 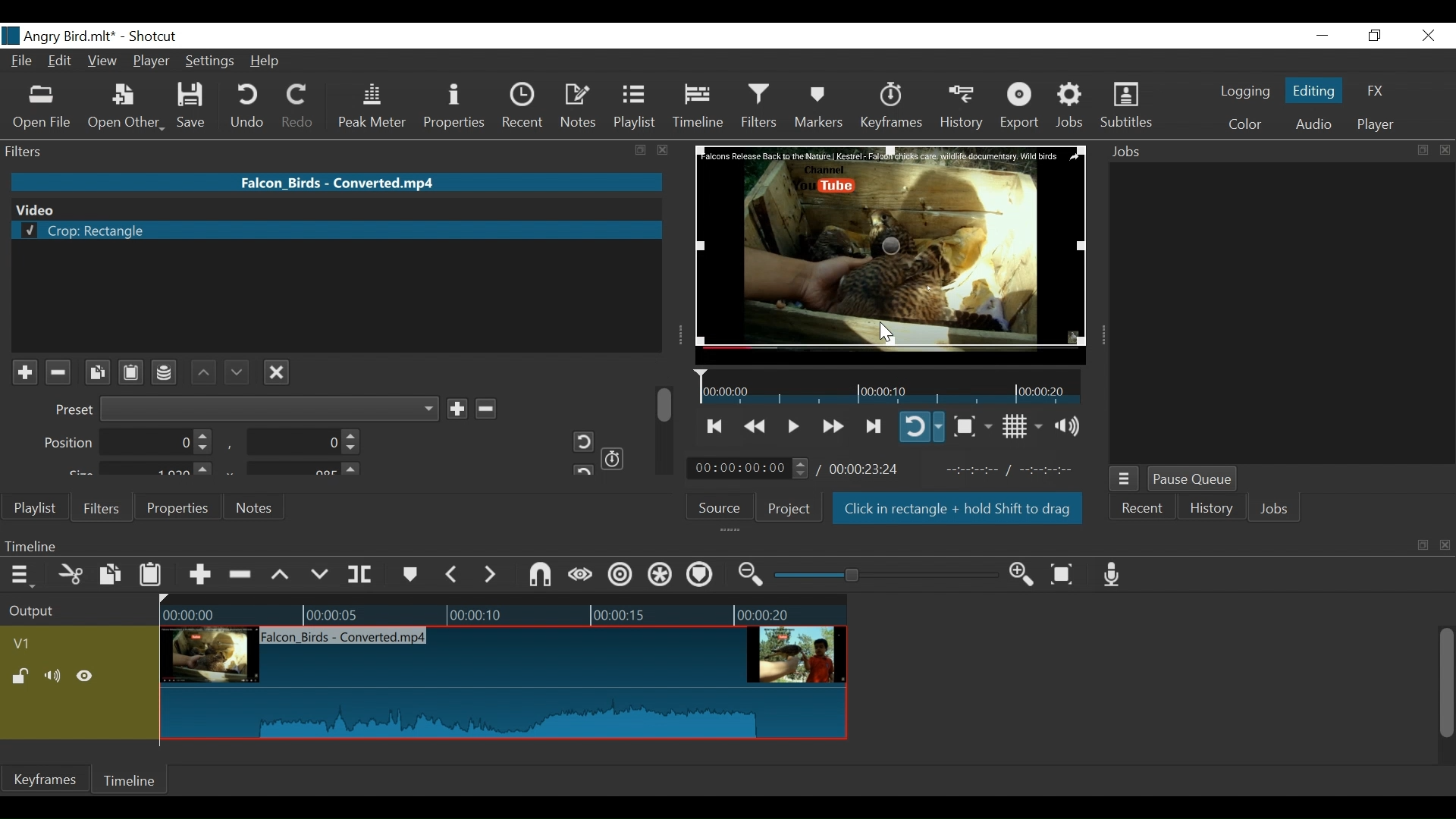 What do you see at coordinates (42, 108) in the screenshot?
I see `Open File` at bounding box center [42, 108].